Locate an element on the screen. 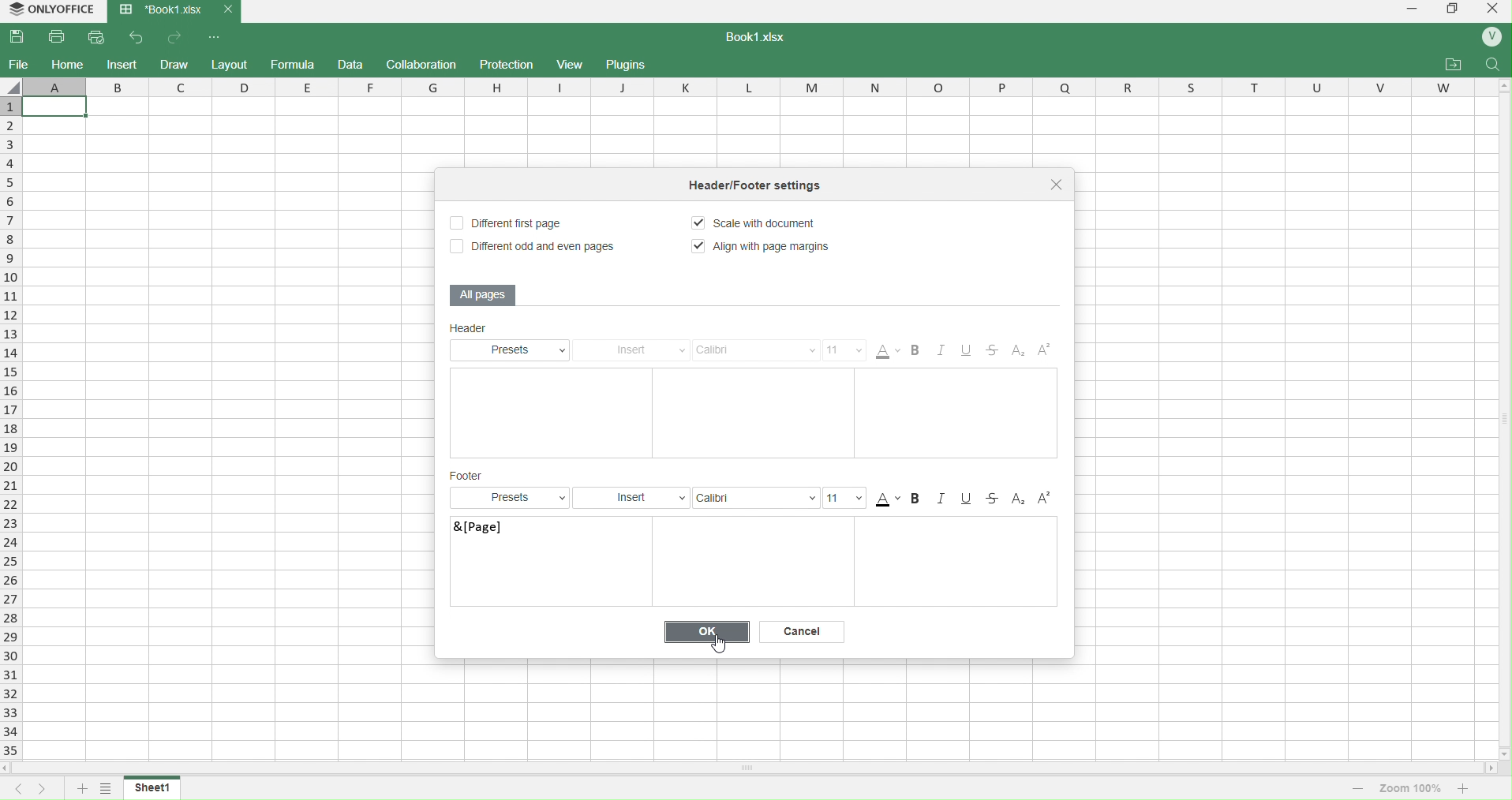 Image resolution: width=1512 pixels, height=800 pixels. Different odd and even pages is located at coordinates (531, 248).